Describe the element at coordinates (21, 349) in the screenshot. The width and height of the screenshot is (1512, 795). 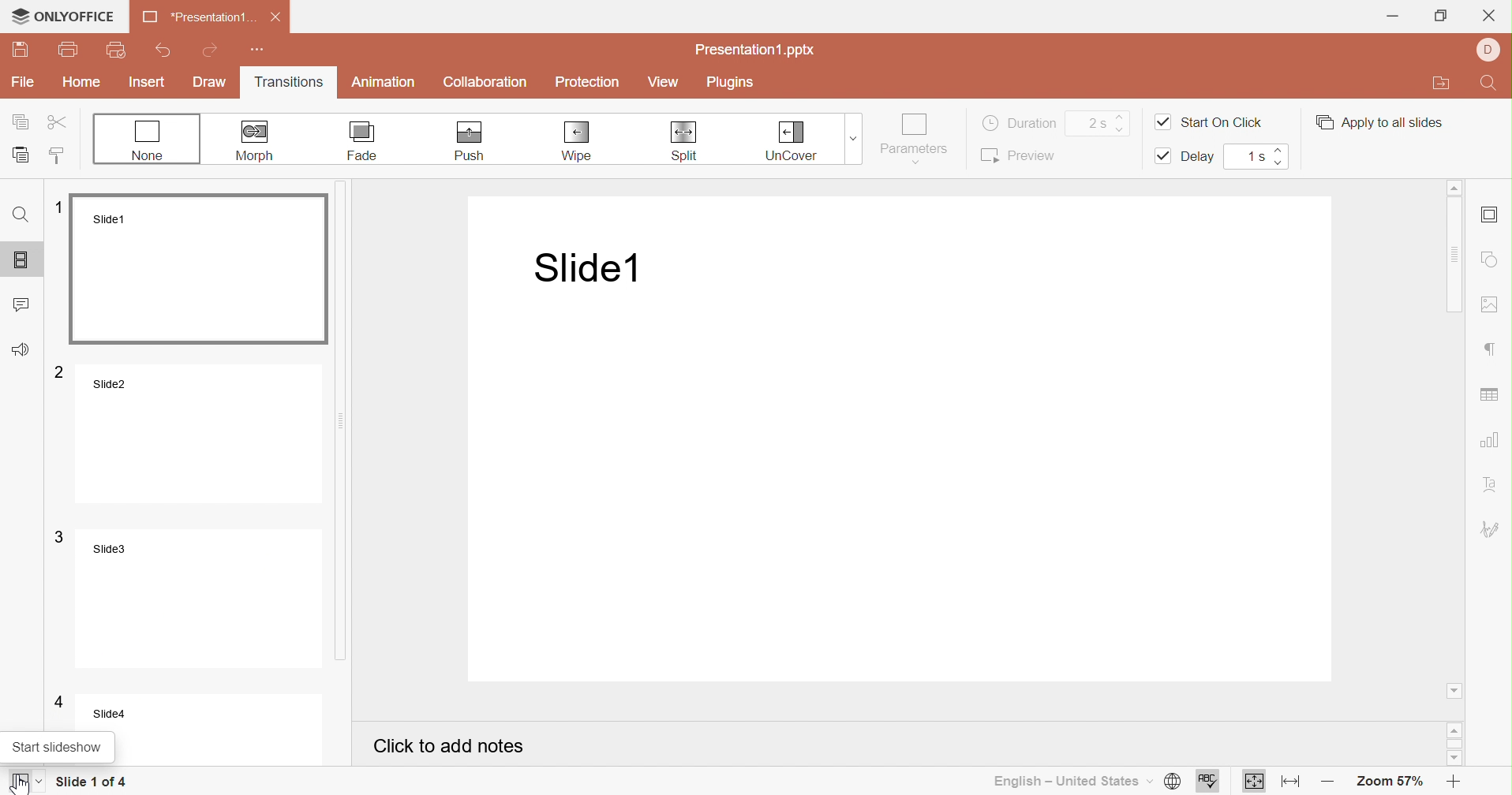
I see `Feedback & Support` at that location.